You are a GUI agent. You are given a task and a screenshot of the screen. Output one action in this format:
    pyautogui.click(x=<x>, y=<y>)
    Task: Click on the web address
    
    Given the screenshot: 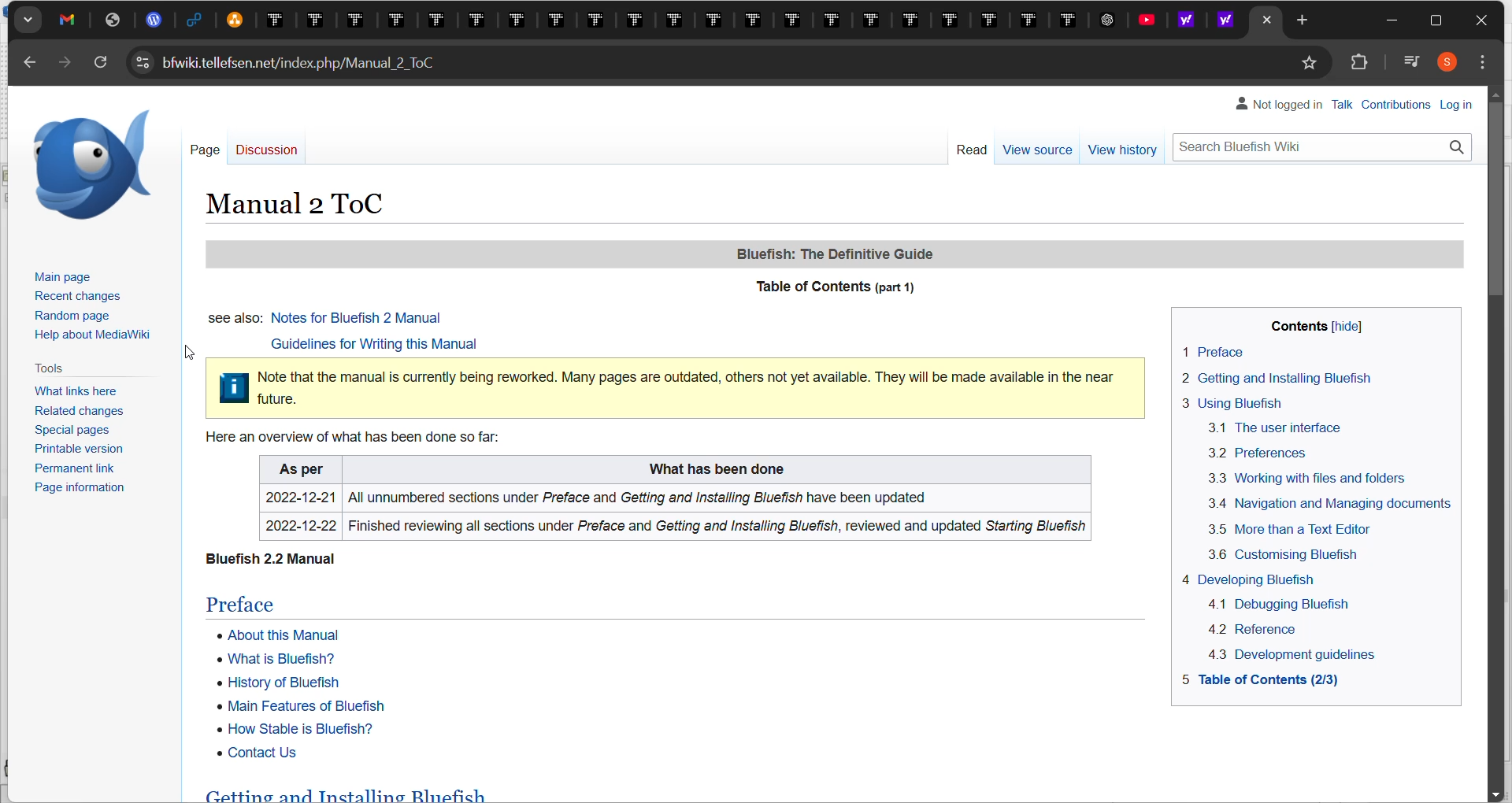 What is the action you would take?
    pyautogui.click(x=287, y=63)
    